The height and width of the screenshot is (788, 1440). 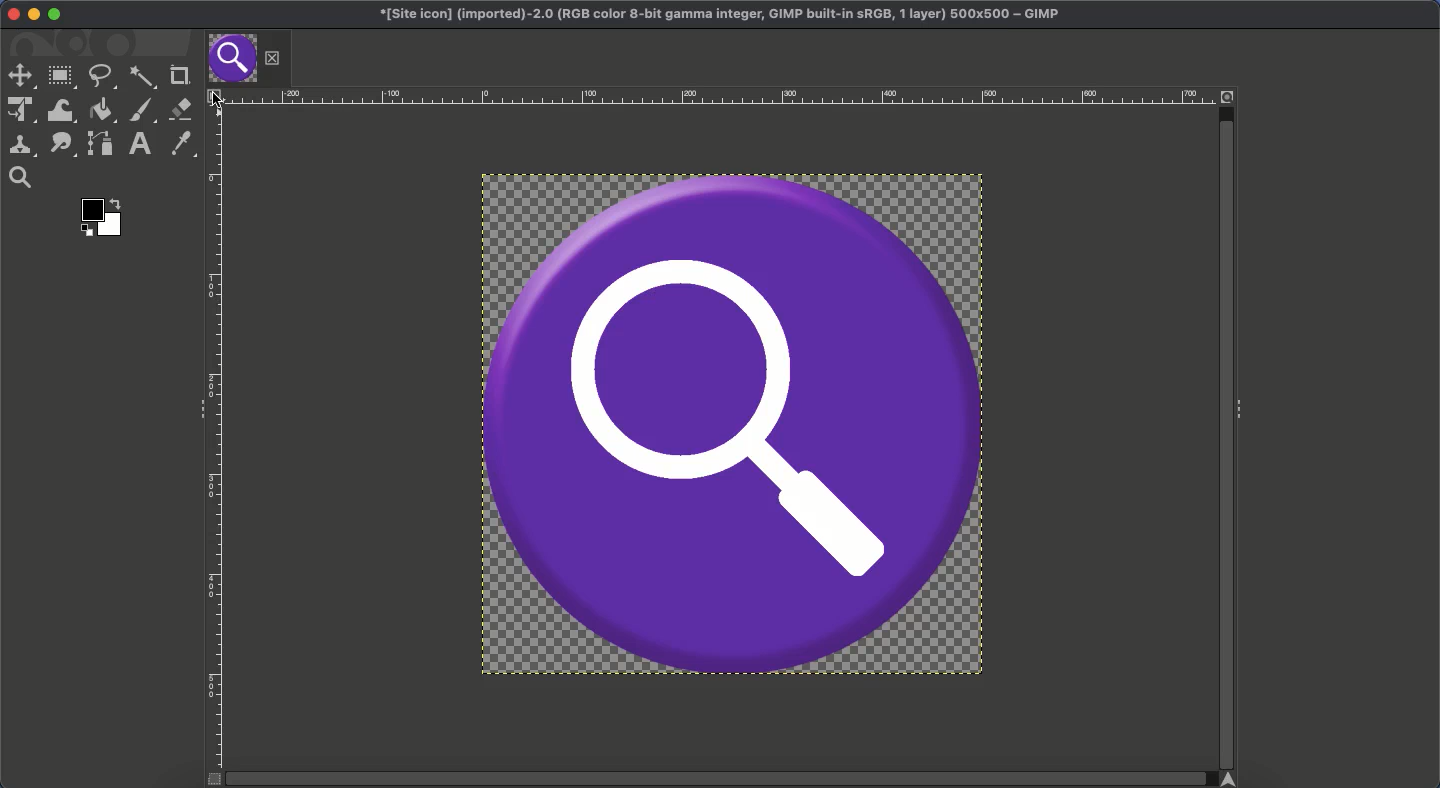 What do you see at coordinates (19, 177) in the screenshot?
I see `Maginfy` at bounding box center [19, 177].